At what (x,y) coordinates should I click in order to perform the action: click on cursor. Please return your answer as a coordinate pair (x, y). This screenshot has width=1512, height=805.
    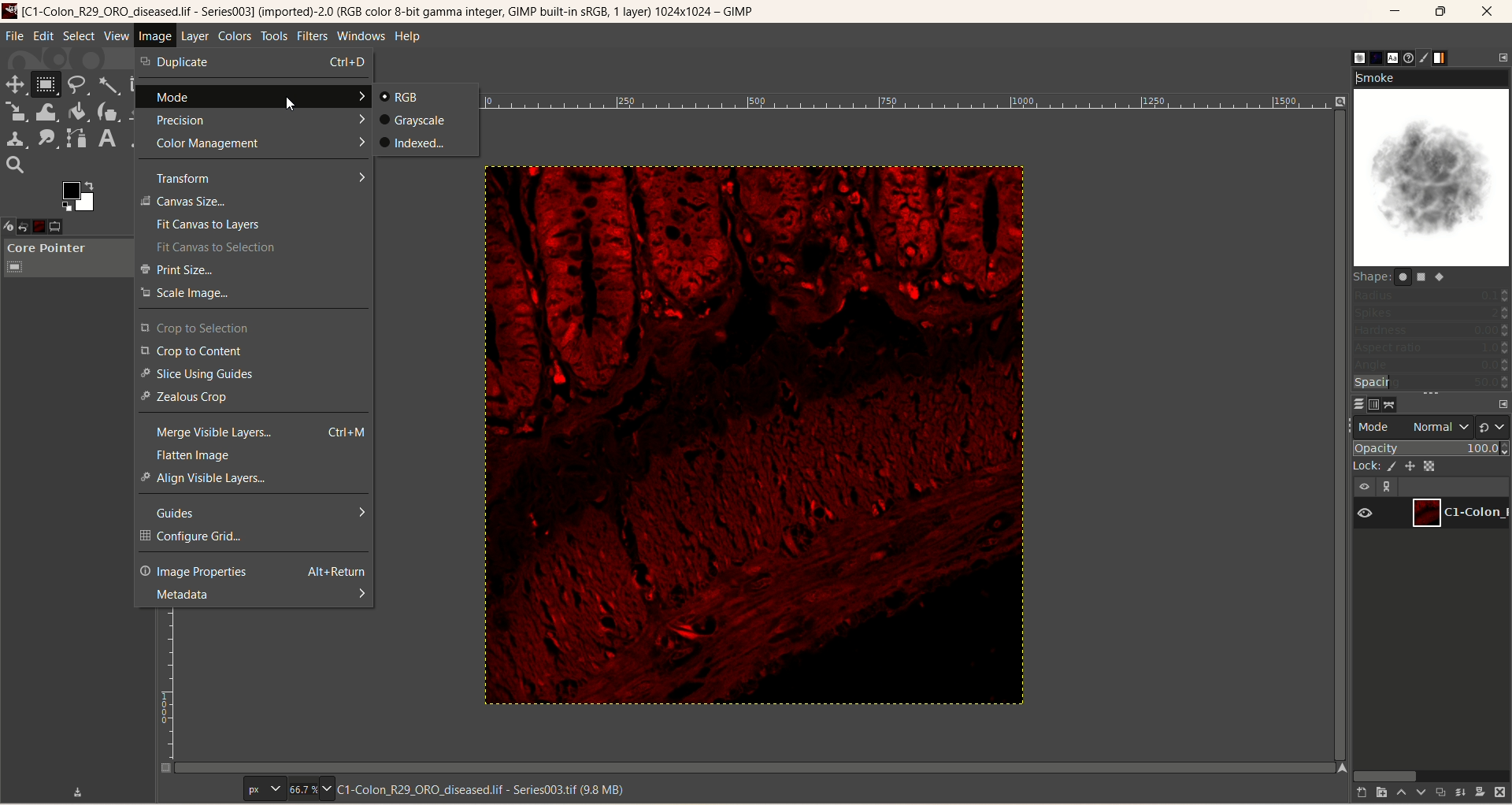
    Looking at the image, I should click on (285, 103).